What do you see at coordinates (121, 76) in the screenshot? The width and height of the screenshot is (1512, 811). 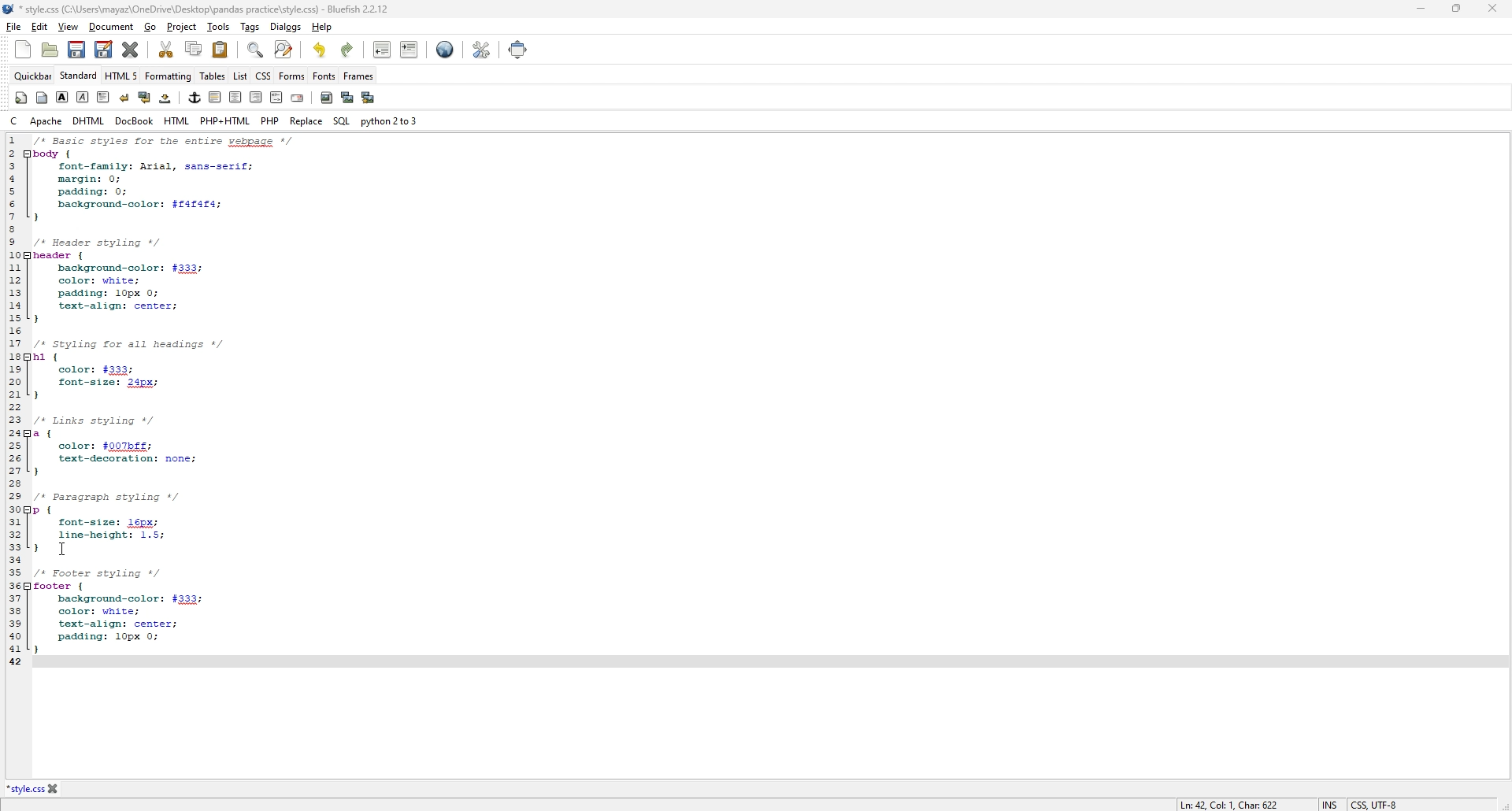 I see `html 5` at bounding box center [121, 76].